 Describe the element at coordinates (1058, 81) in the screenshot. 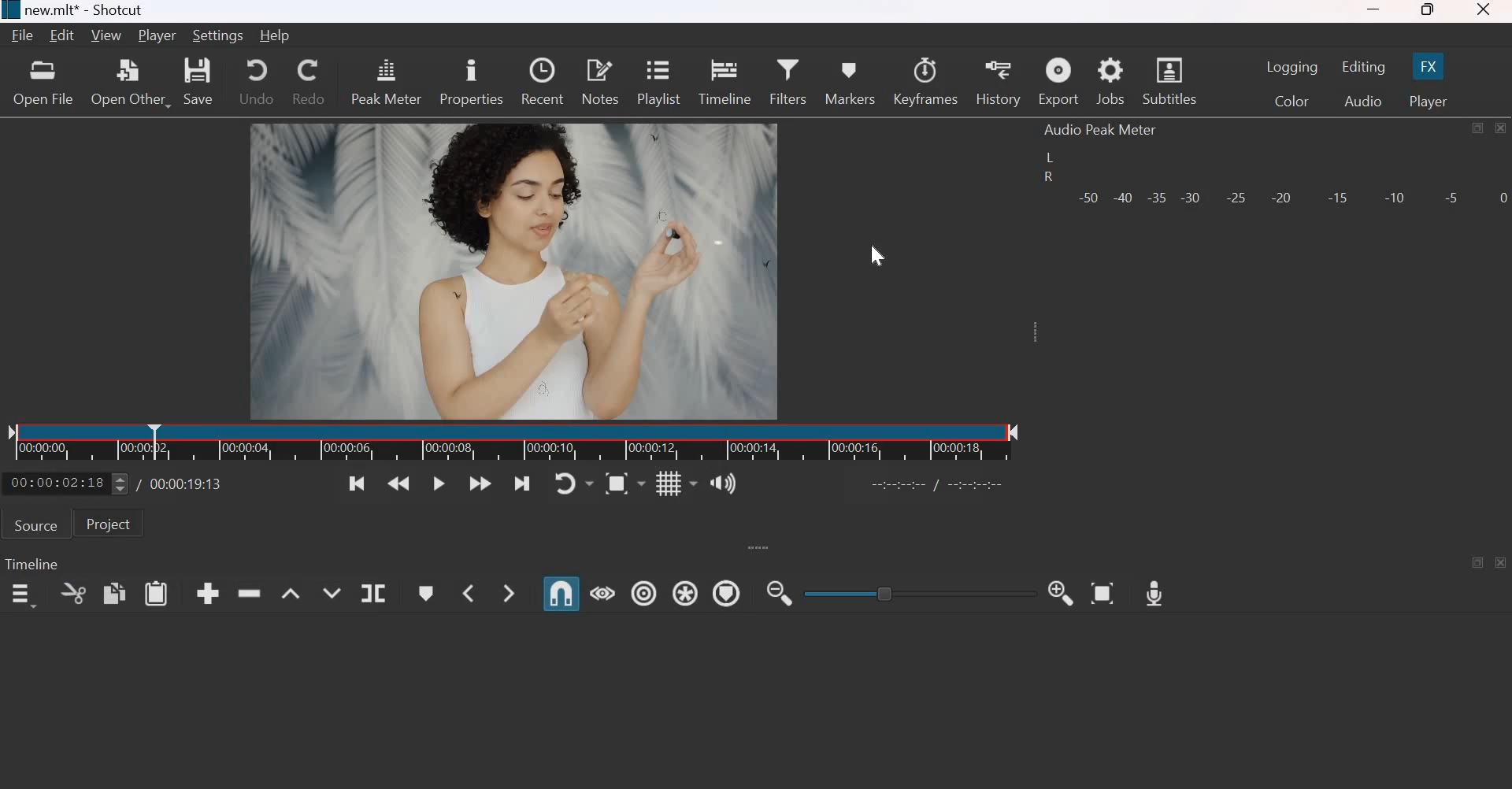

I see `Export` at that location.